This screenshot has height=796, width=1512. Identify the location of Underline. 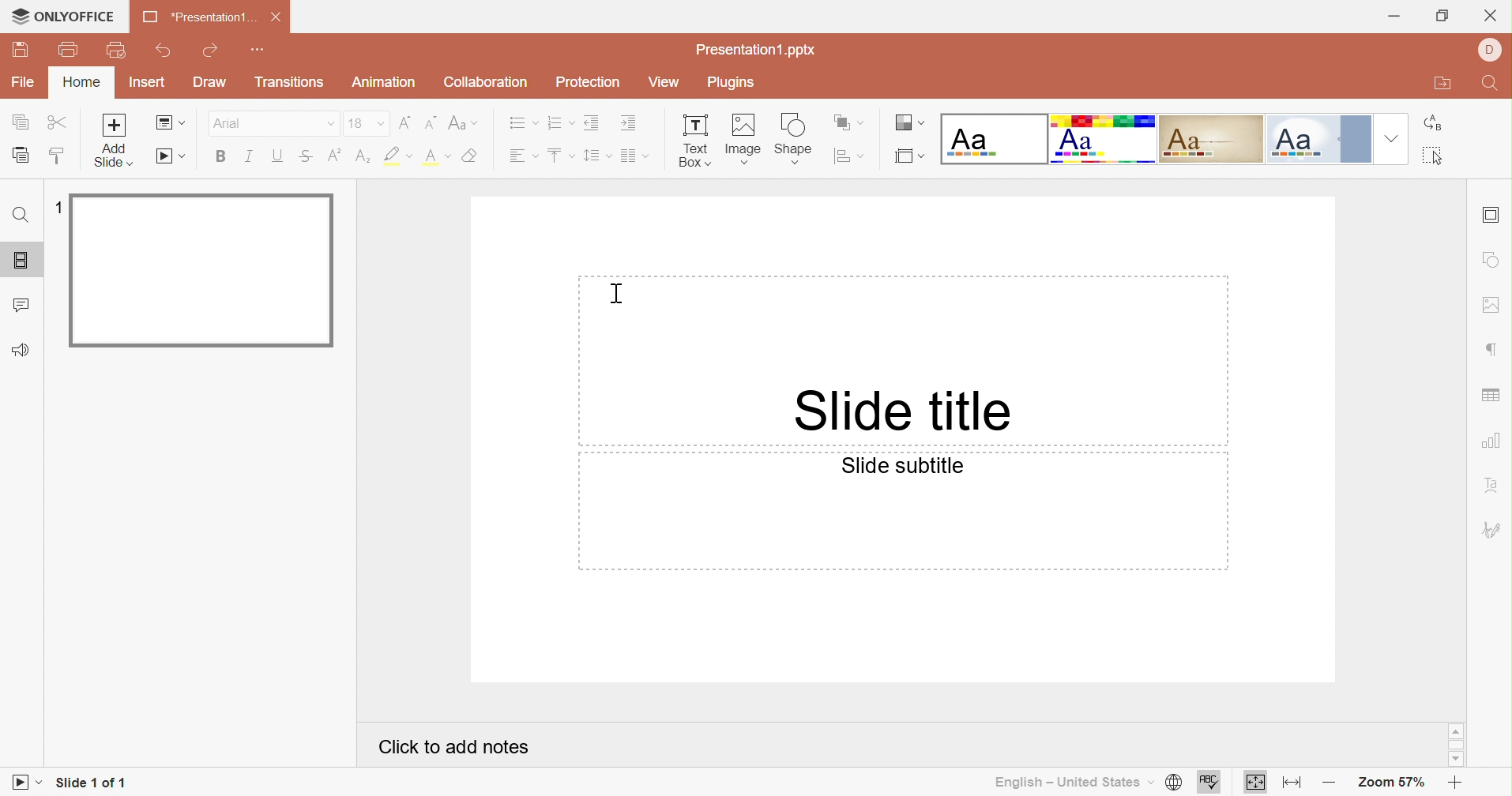
(278, 157).